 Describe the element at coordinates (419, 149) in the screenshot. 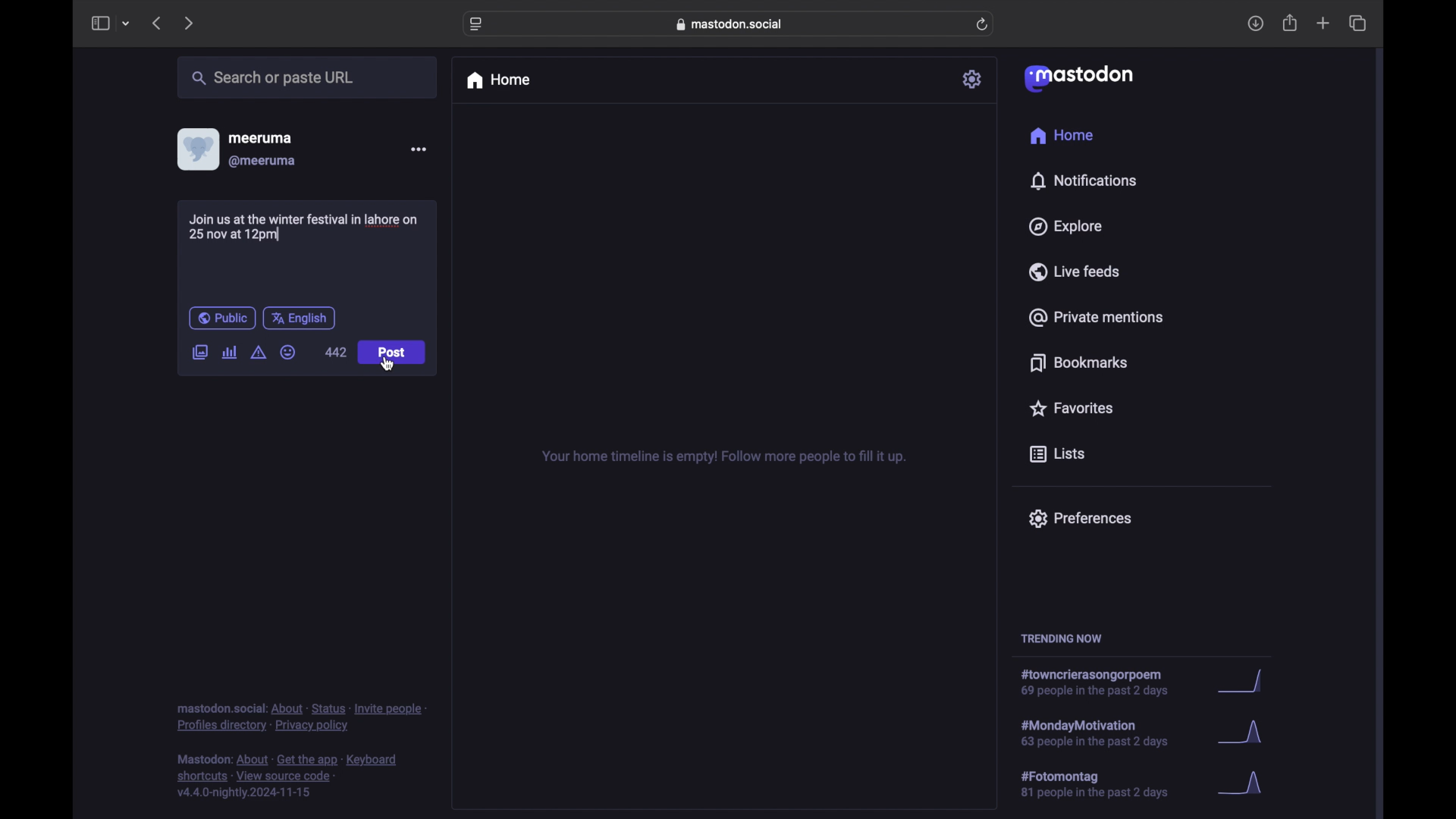

I see `more options` at that location.